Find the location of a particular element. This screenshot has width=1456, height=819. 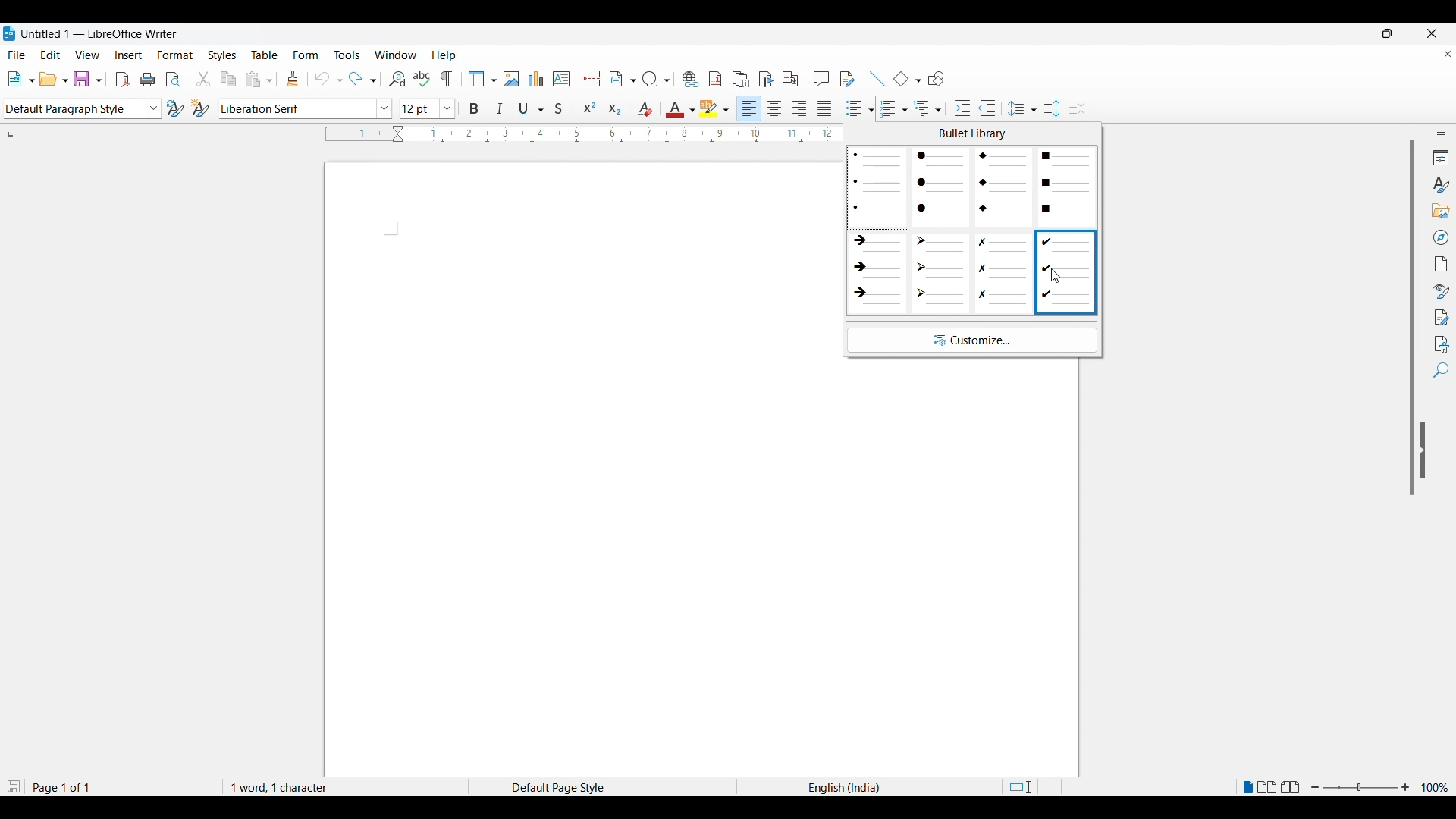

align center is located at coordinates (777, 108).